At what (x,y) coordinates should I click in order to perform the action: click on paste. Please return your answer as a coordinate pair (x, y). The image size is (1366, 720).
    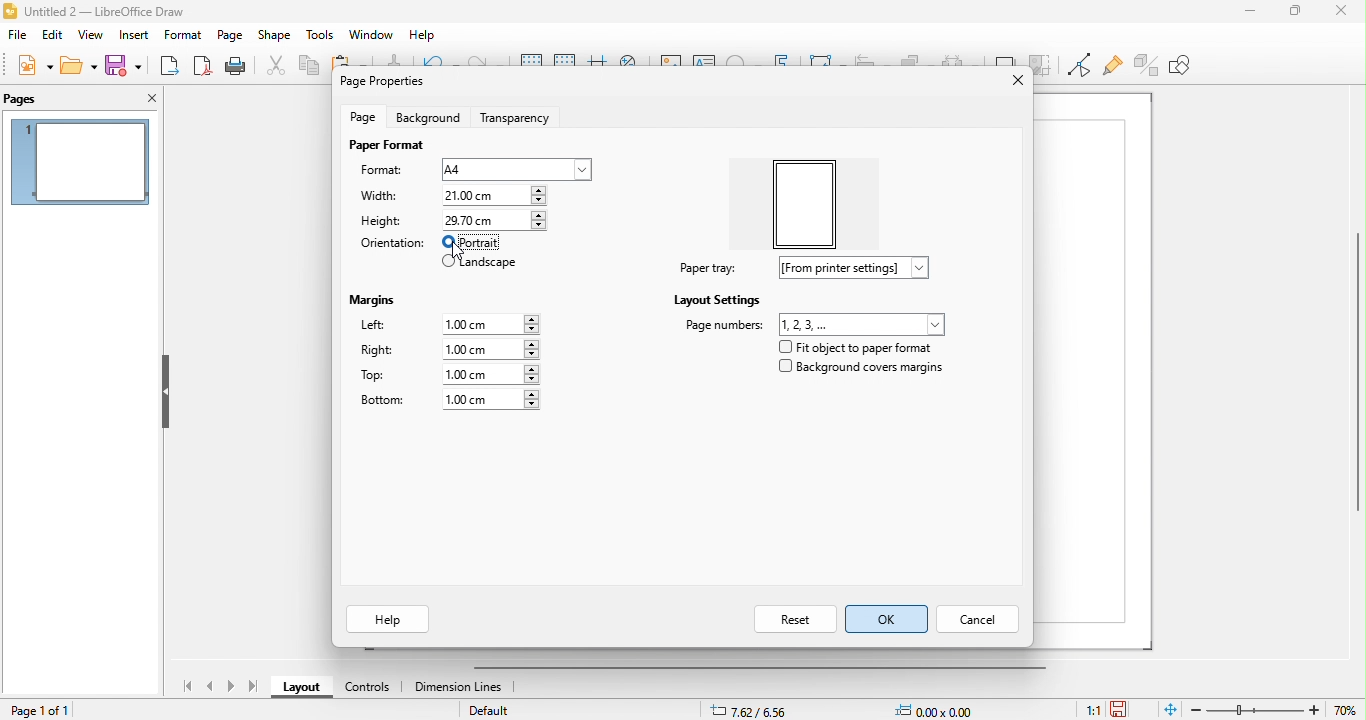
    Looking at the image, I should click on (347, 59).